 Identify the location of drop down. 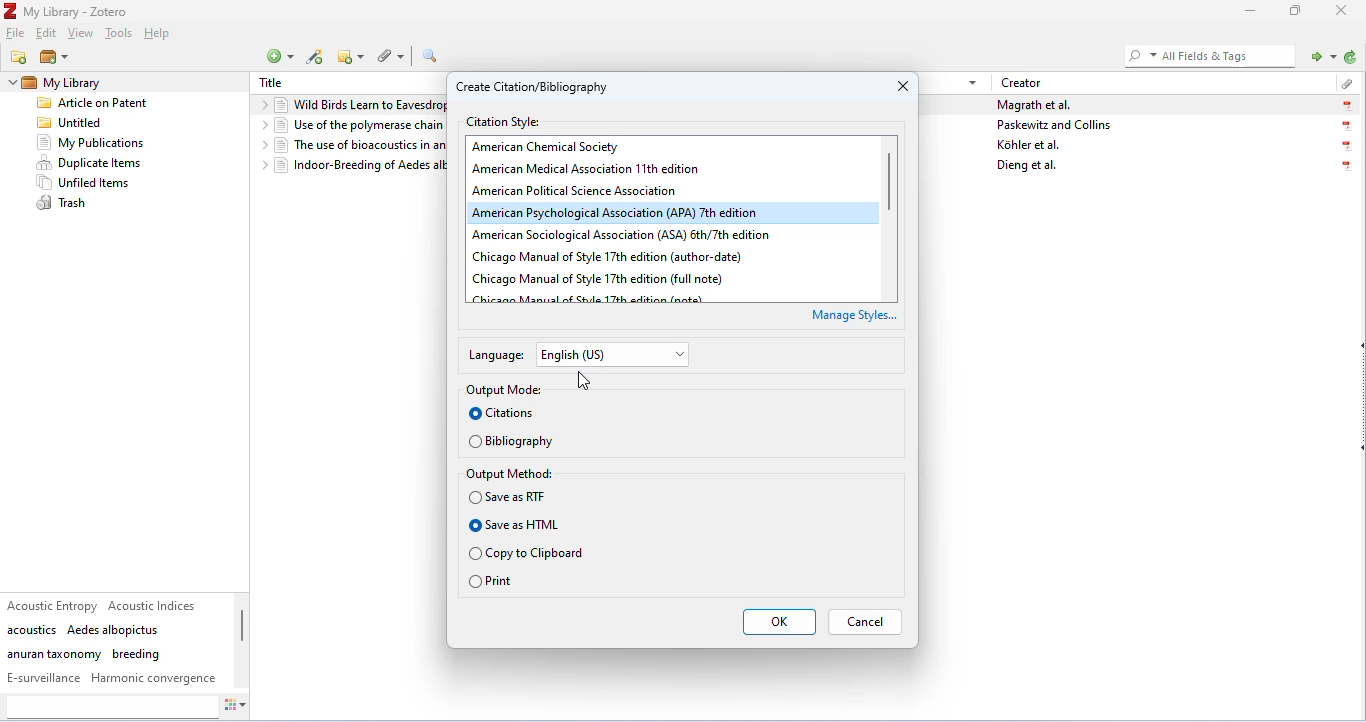
(260, 126).